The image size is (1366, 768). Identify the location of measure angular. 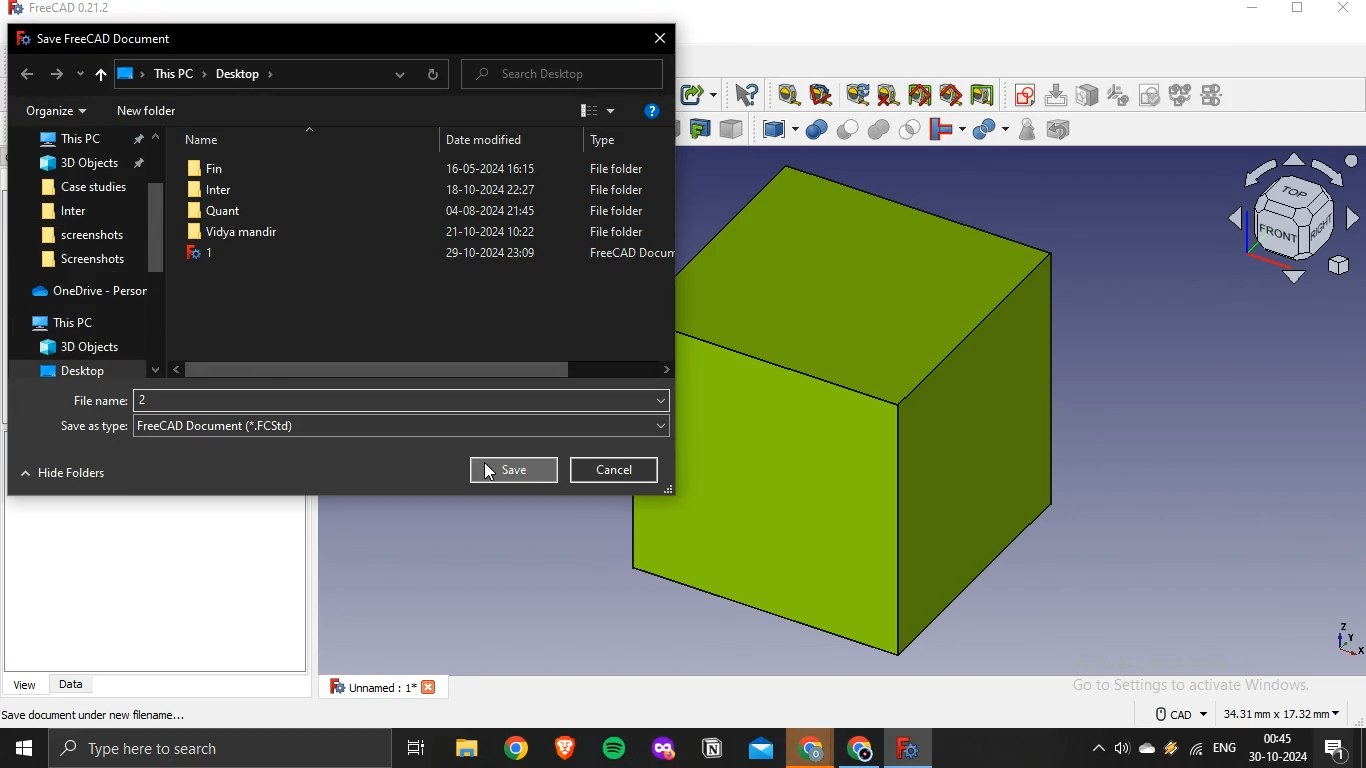
(822, 95).